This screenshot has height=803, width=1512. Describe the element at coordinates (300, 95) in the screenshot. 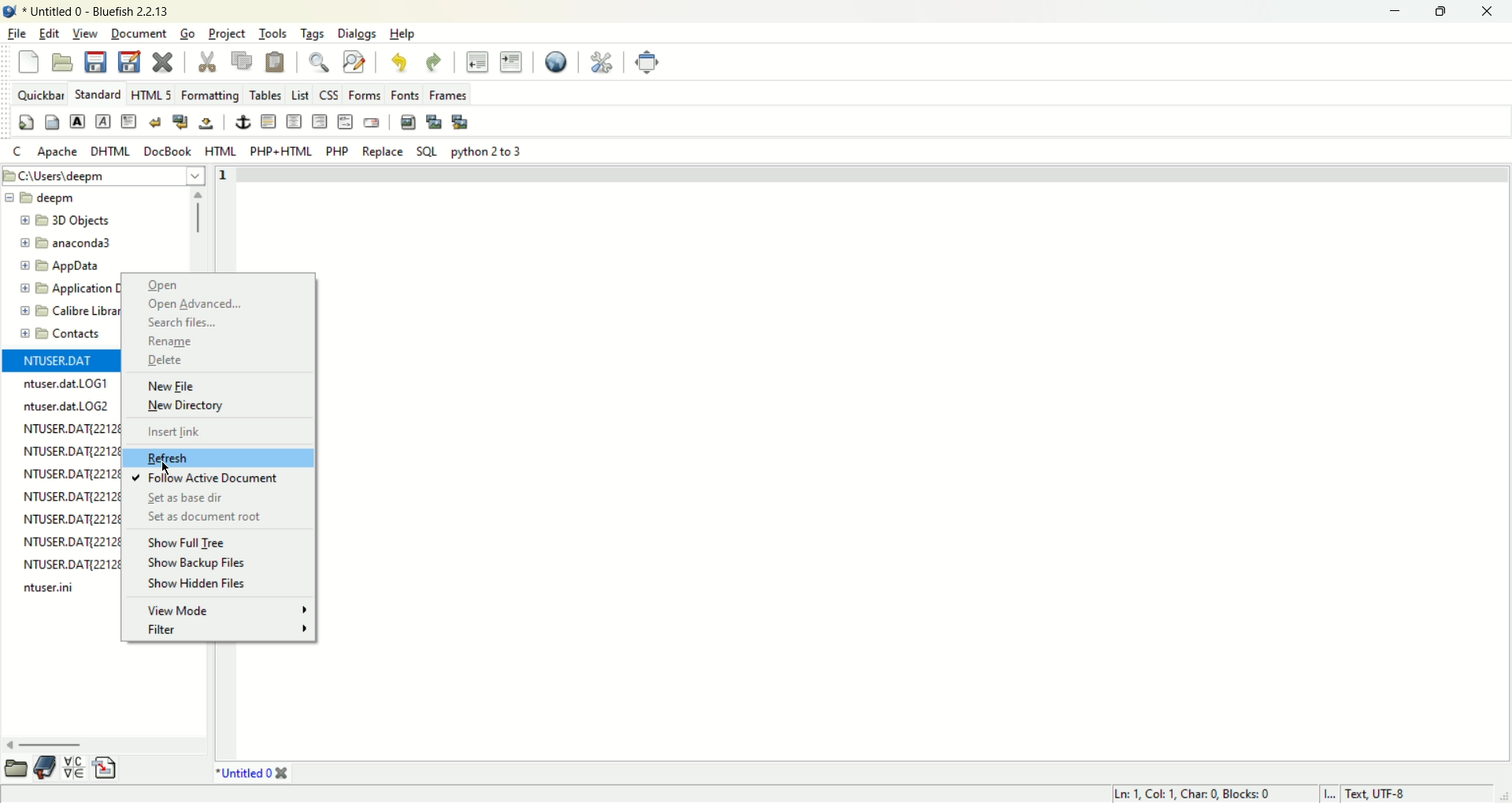

I see `list` at that location.